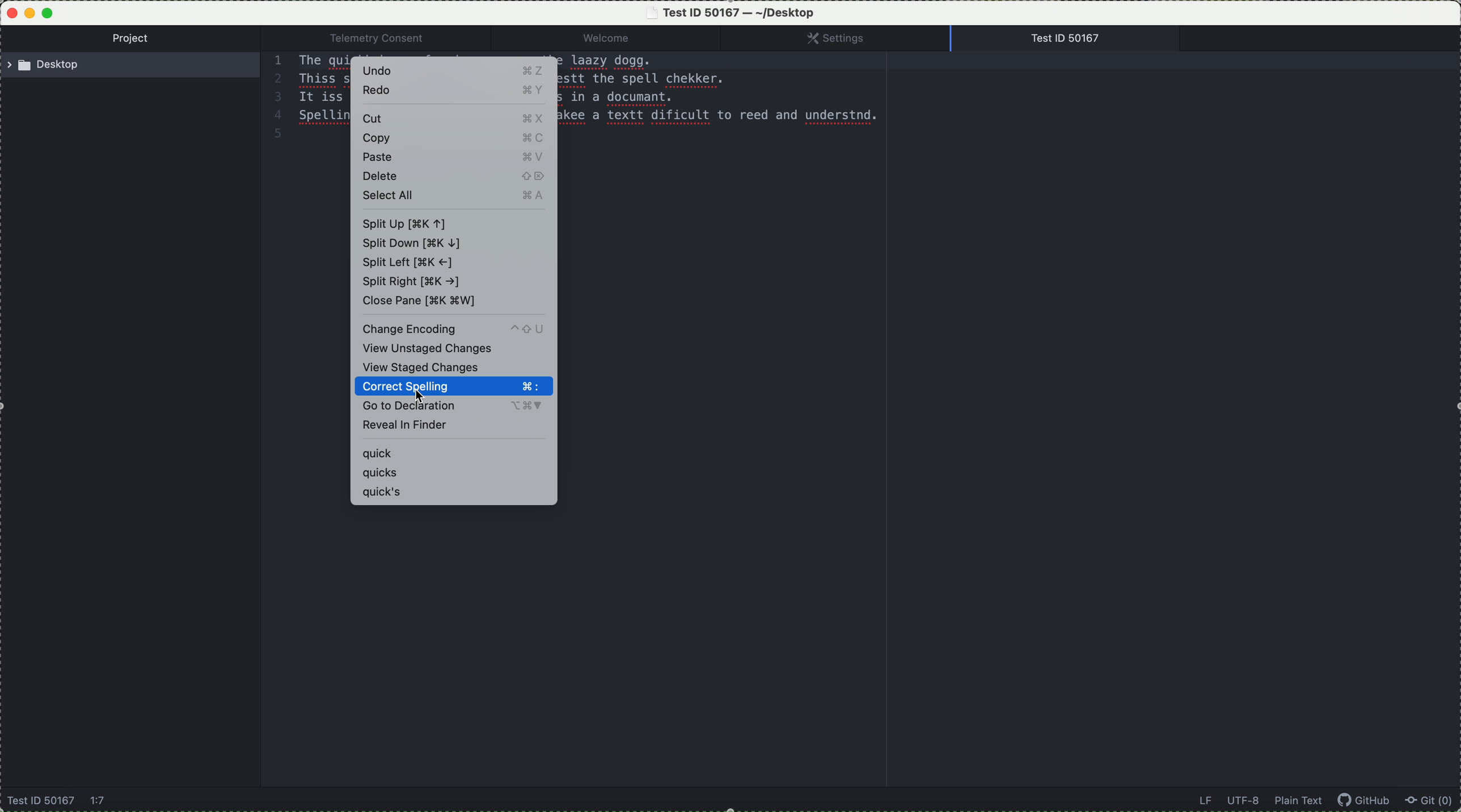 The image size is (1461, 812). What do you see at coordinates (734, 12) in the screenshot?
I see `file name` at bounding box center [734, 12].